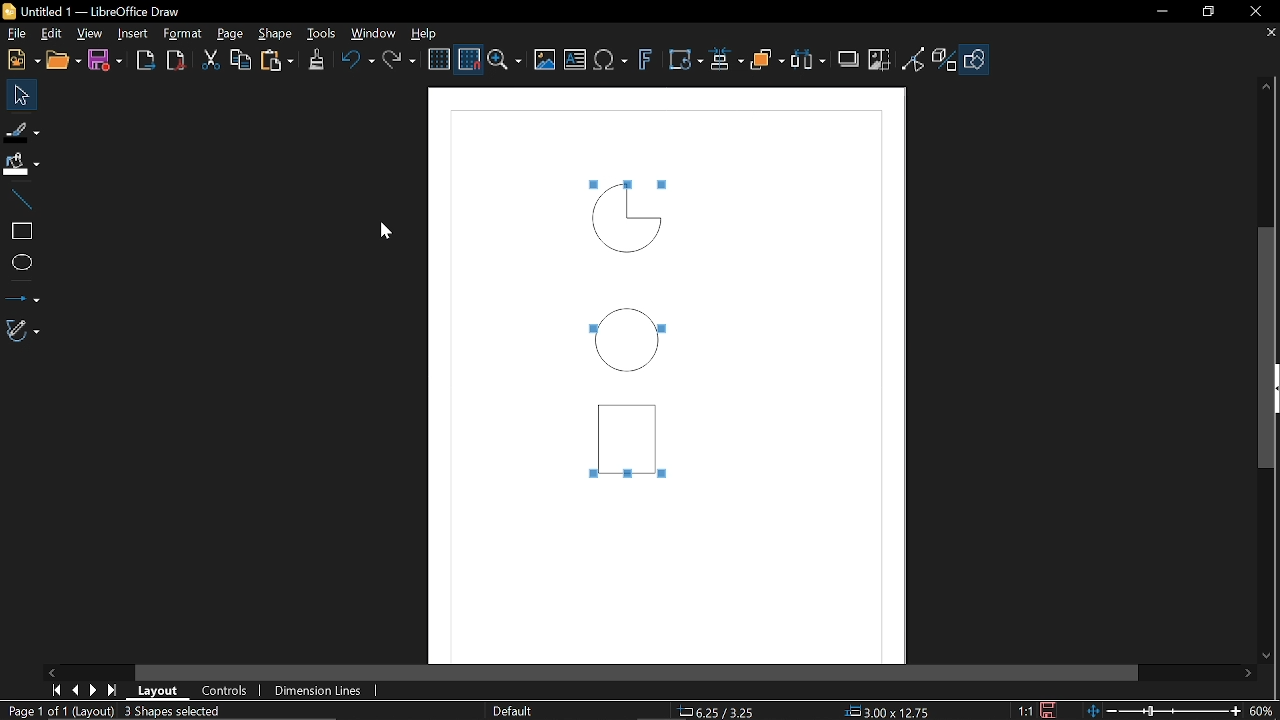 The image size is (1280, 720). What do you see at coordinates (470, 59) in the screenshot?
I see `Snap to grid` at bounding box center [470, 59].